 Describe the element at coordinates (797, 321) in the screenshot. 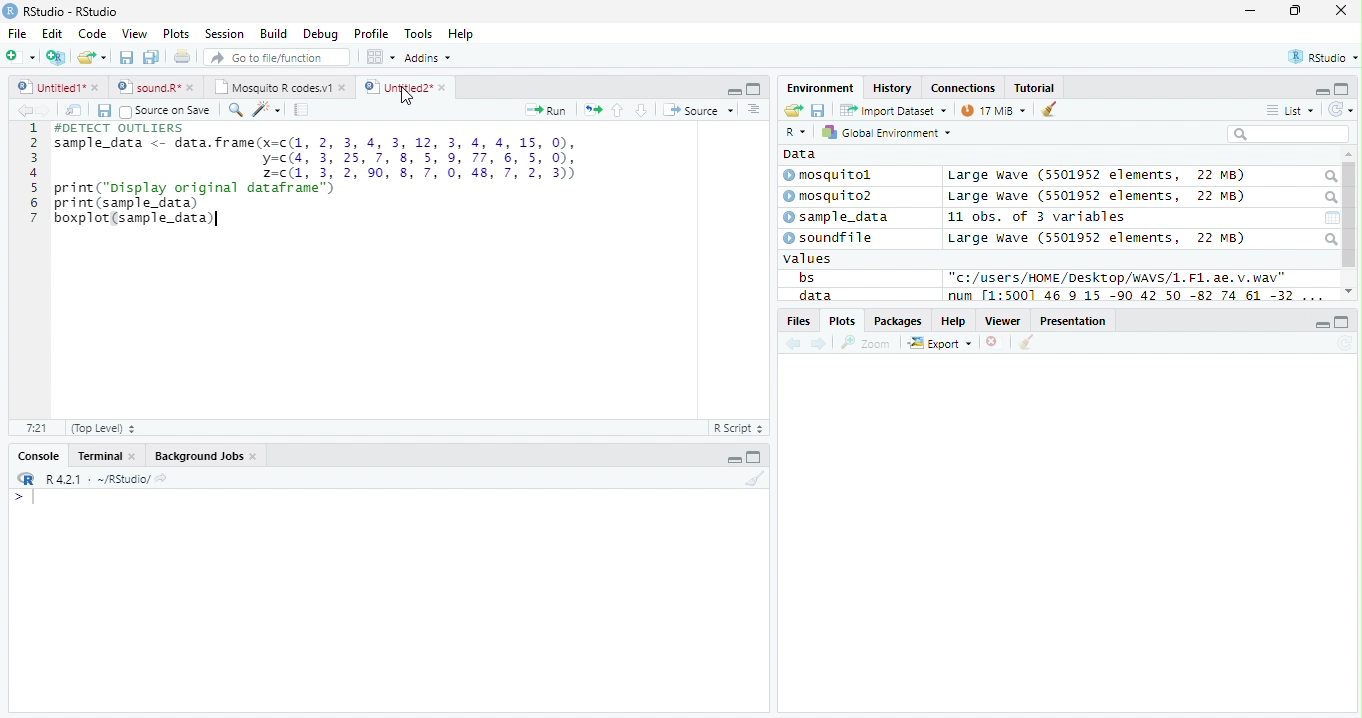

I see `Files` at that location.